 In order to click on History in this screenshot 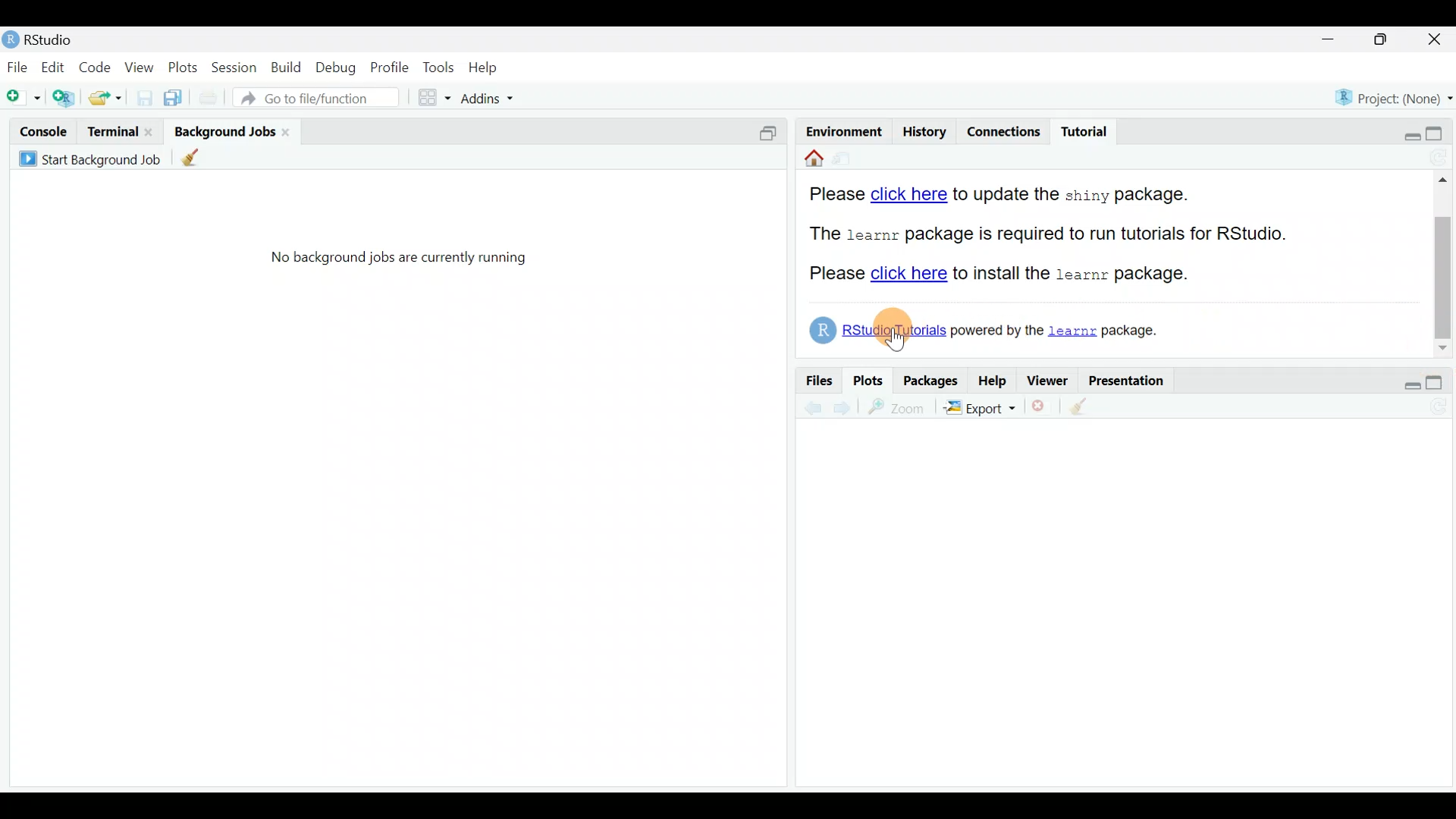, I will do `click(923, 130)`.